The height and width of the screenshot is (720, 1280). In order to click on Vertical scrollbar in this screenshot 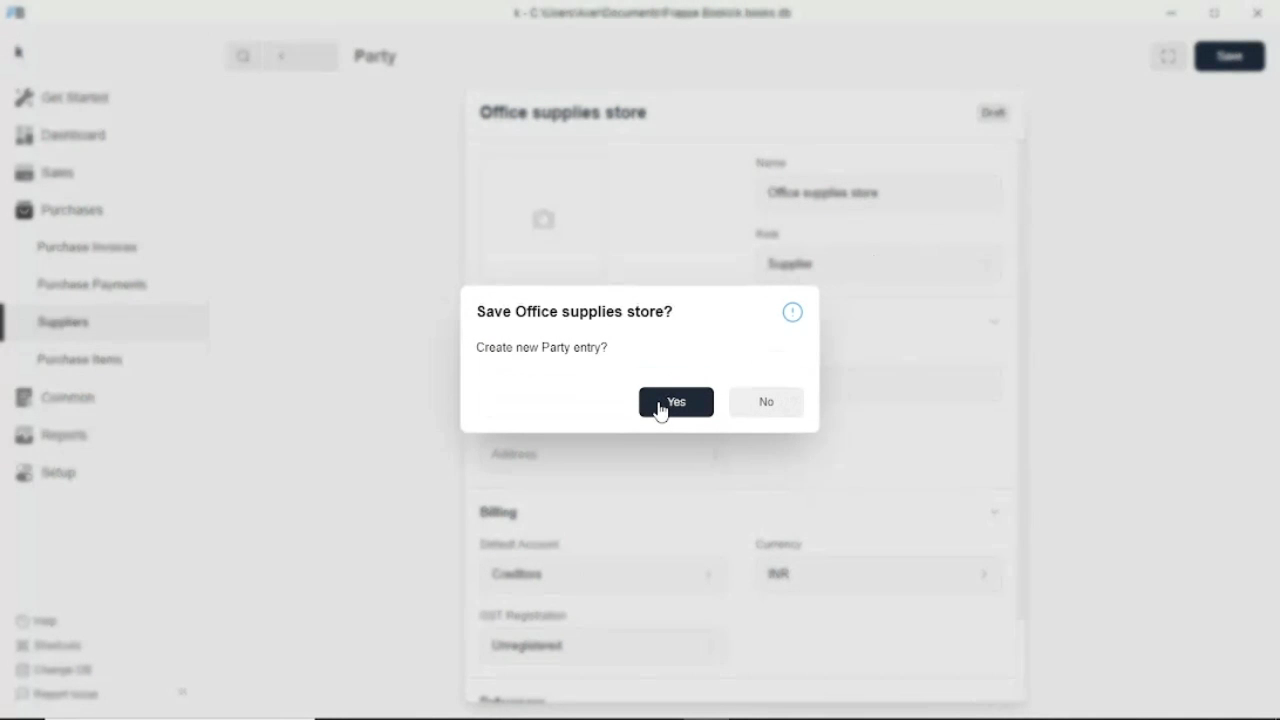, I will do `click(1024, 376)`.